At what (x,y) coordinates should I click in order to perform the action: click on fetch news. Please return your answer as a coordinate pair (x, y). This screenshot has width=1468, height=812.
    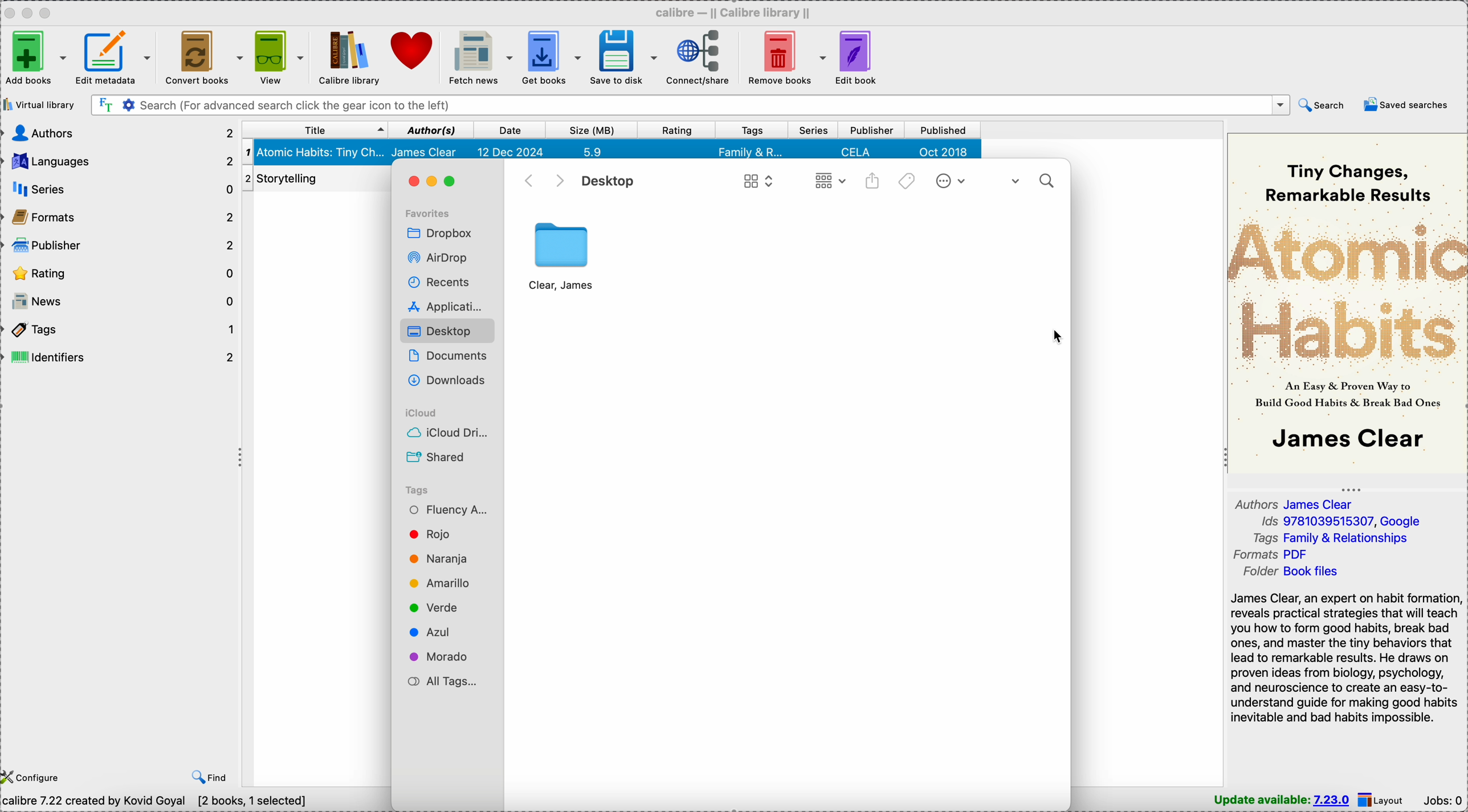
    Looking at the image, I should click on (478, 56).